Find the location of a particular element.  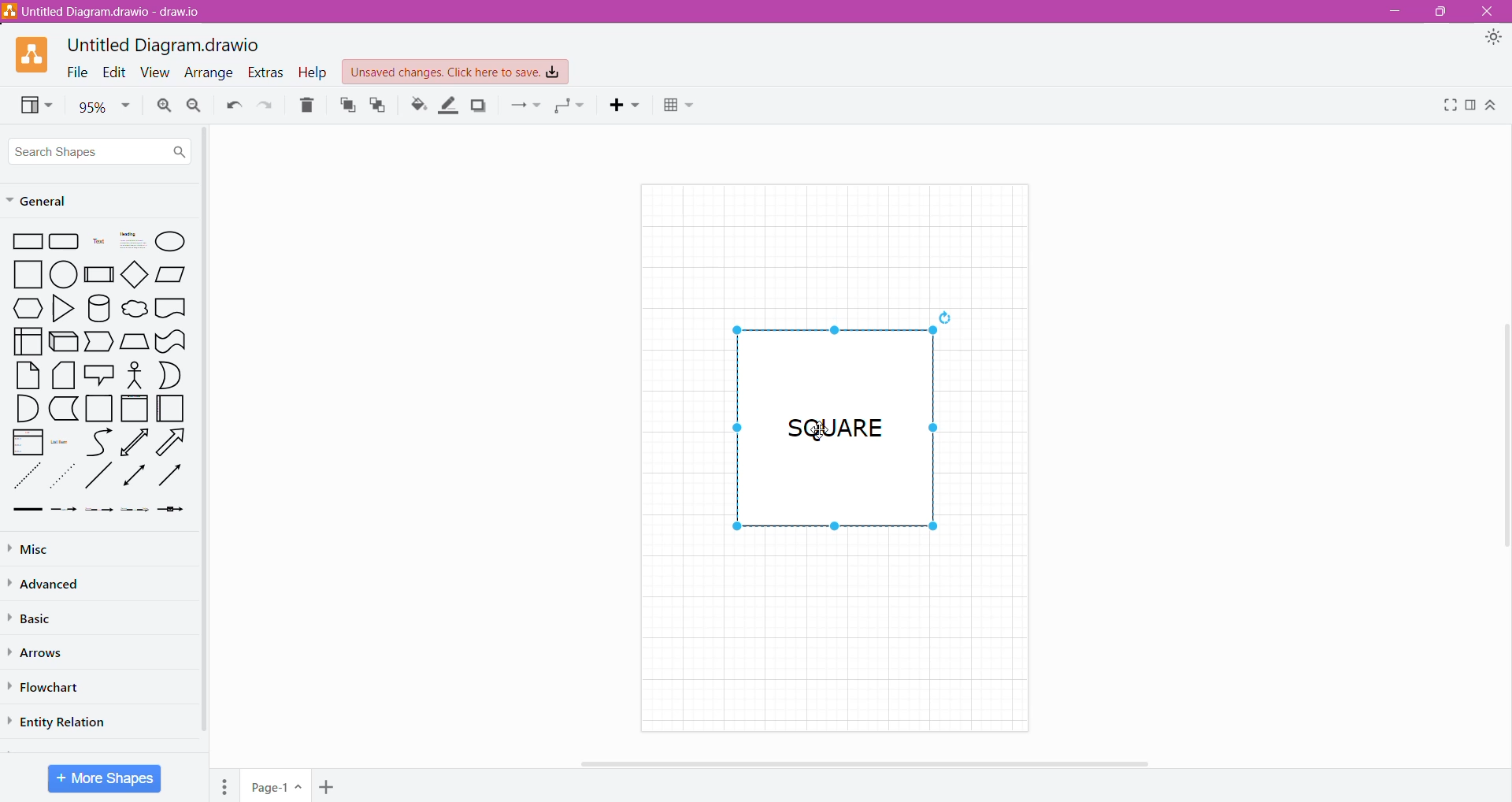

3D Rectangle  is located at coordinates (63, 343).